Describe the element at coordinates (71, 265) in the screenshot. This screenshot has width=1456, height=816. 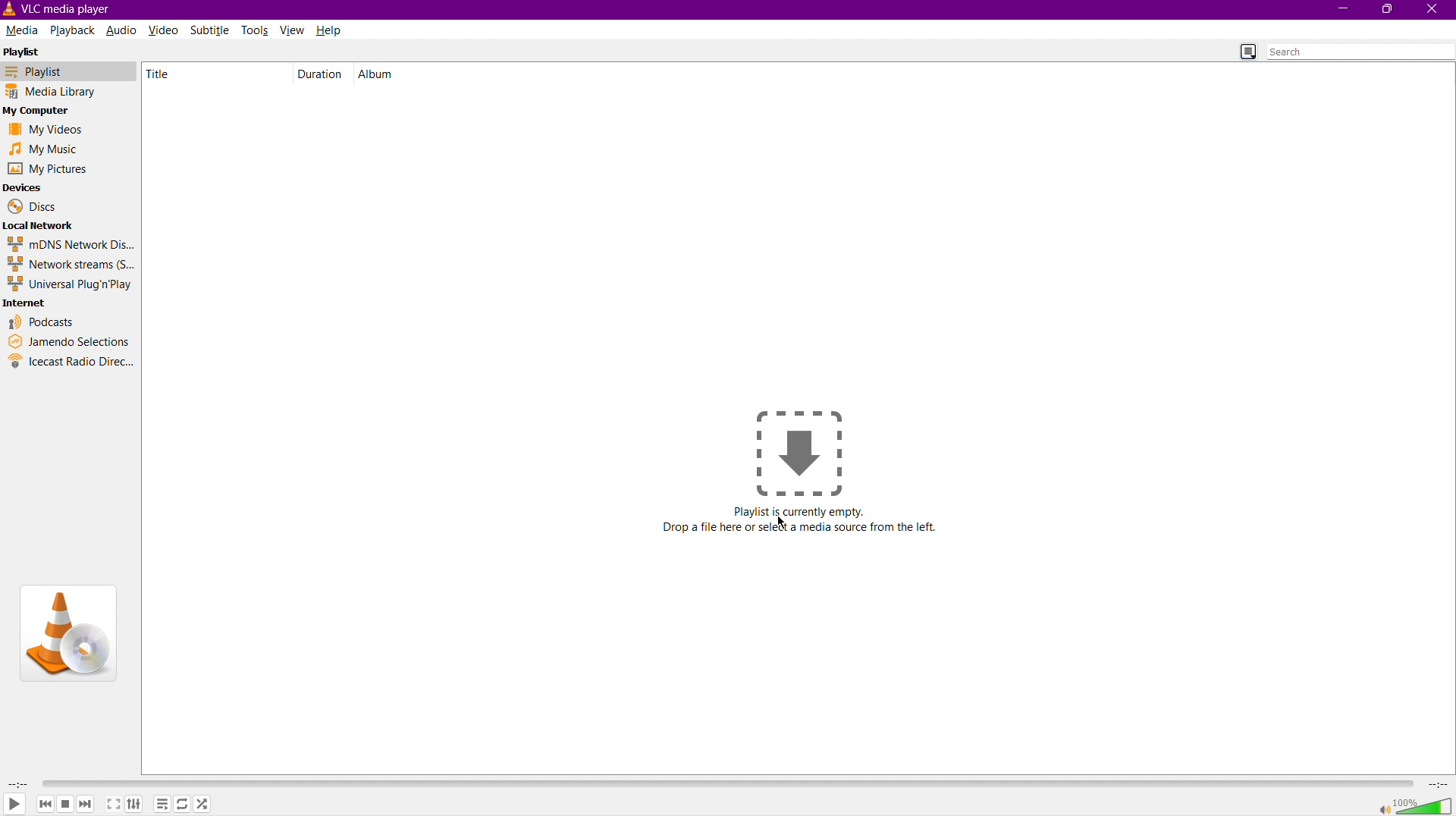
I see `Network streams` at that location.